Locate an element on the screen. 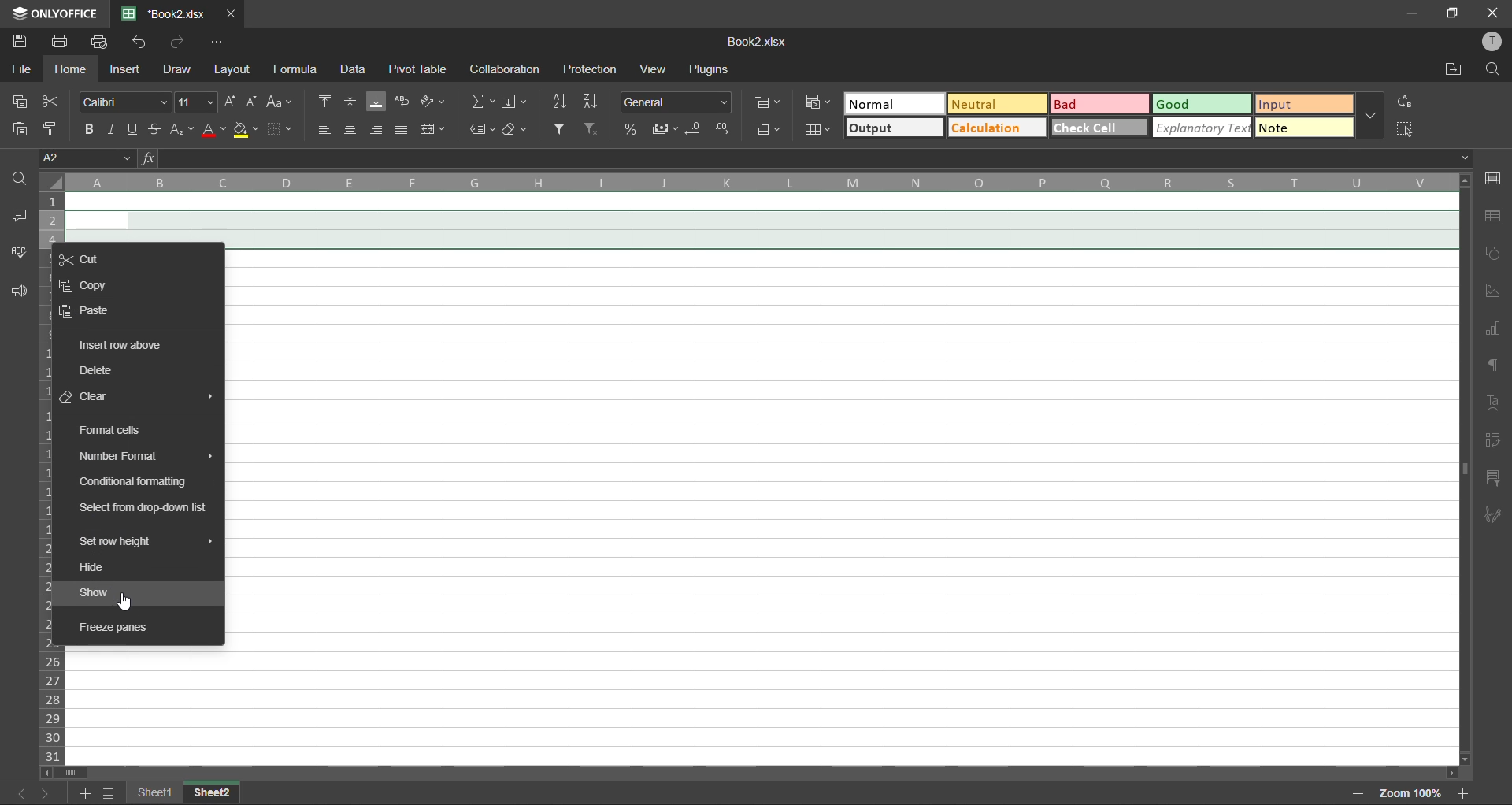  insert is located at coordinates (126, 68).